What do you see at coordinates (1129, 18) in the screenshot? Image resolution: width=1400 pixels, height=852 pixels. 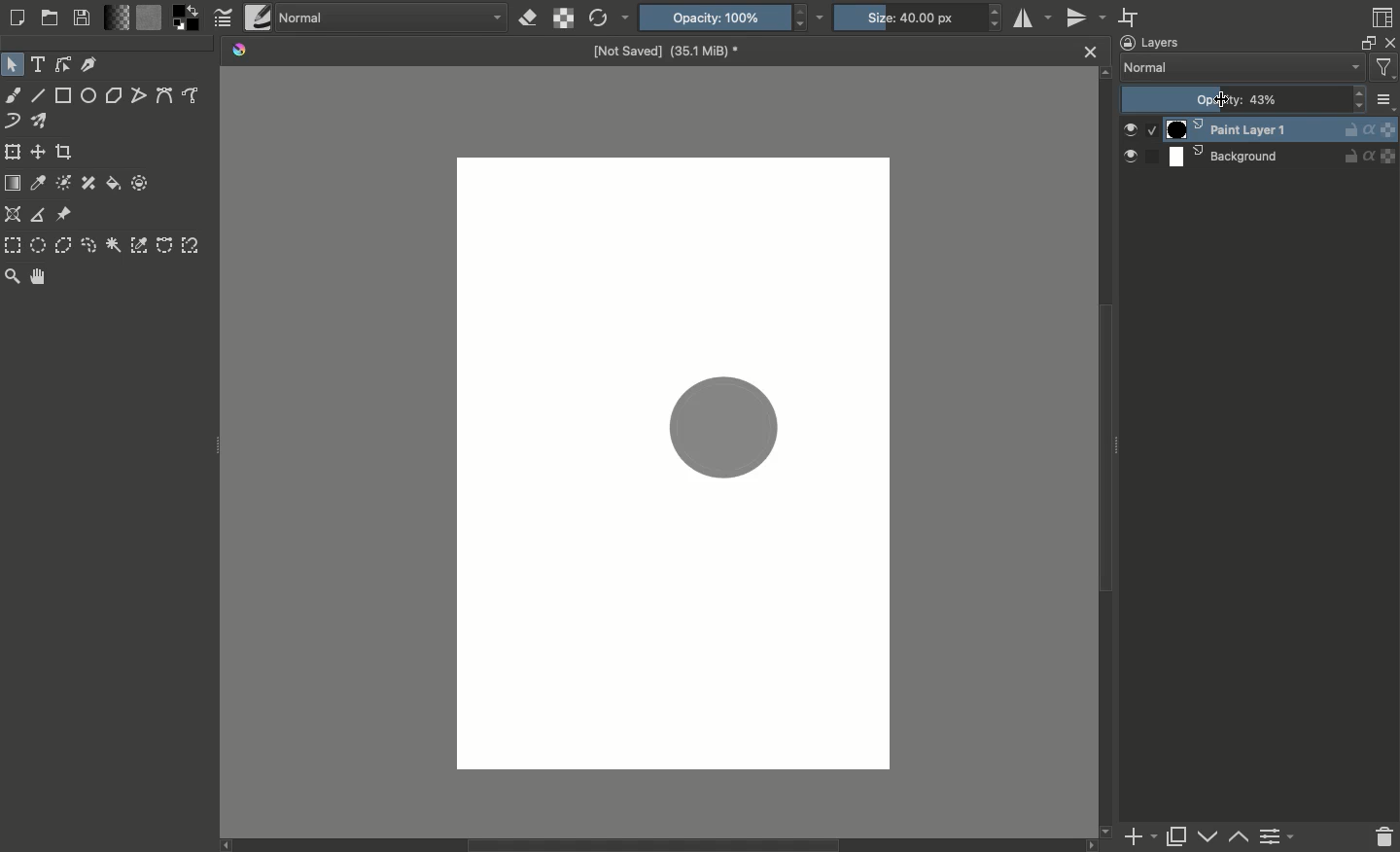 I see `Wrap around mode` at bounding box center [1129, 18].